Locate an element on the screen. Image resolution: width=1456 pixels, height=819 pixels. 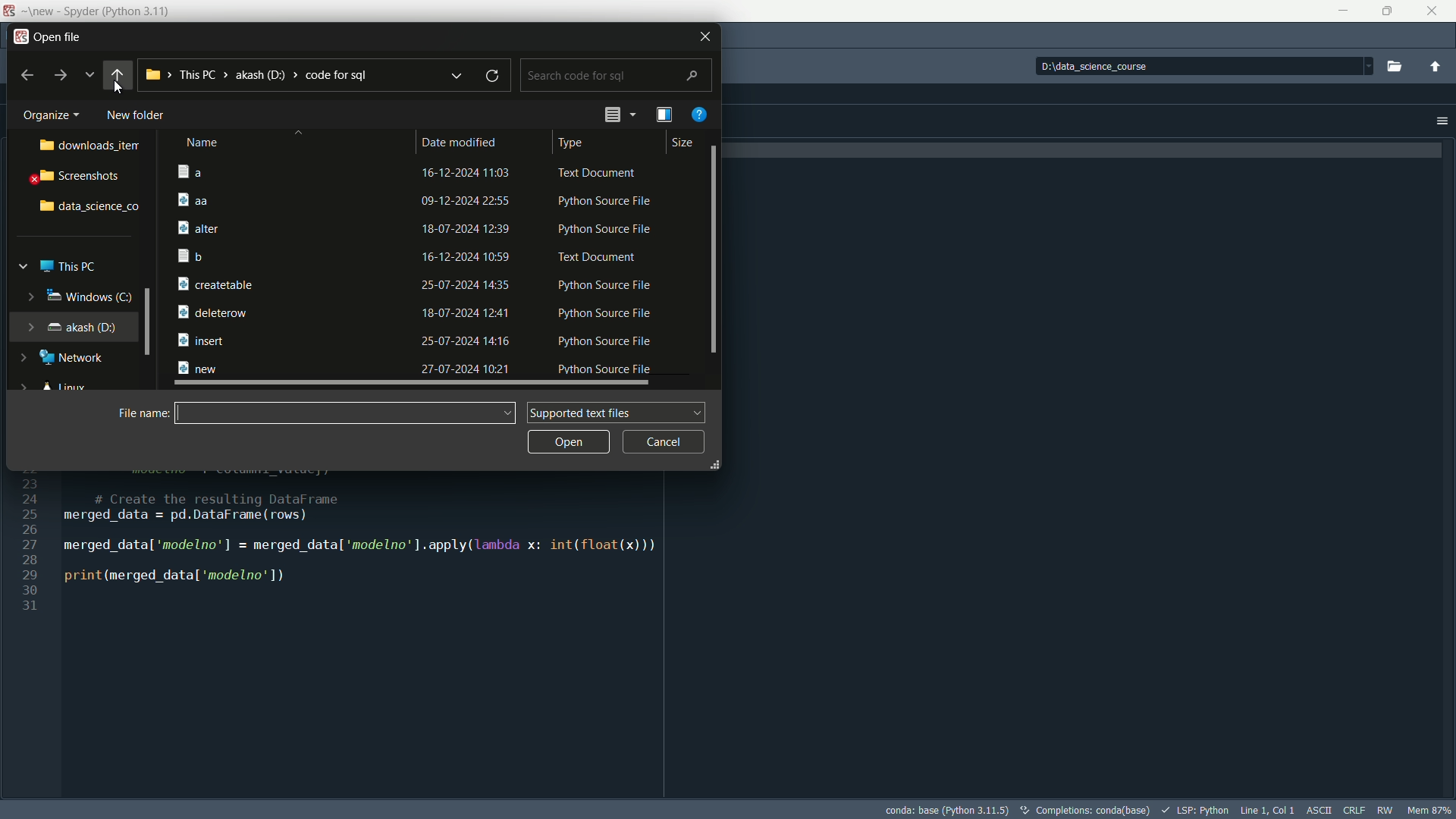
16-12-2024 11:03 Text Document is located at coordinates (457, 175).